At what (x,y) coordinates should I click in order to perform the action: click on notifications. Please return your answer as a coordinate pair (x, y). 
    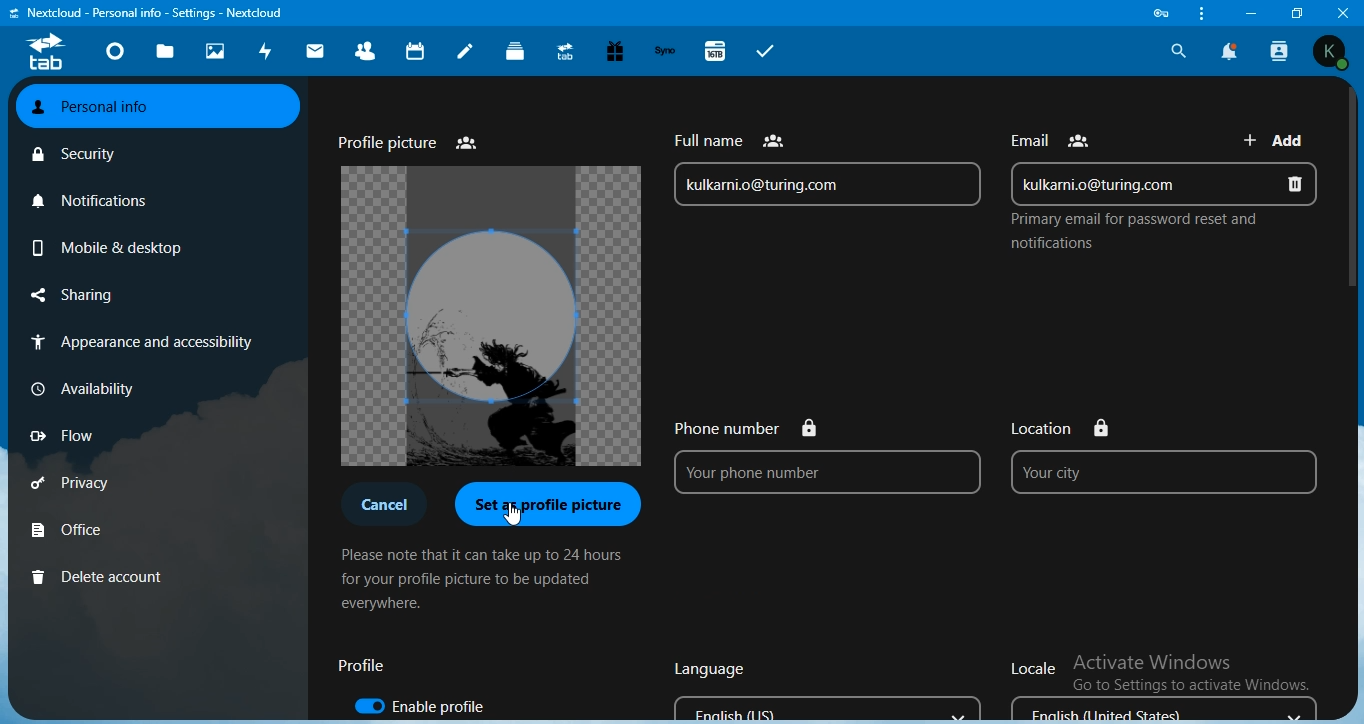
    Looking at the image, I should click on (92, 200).